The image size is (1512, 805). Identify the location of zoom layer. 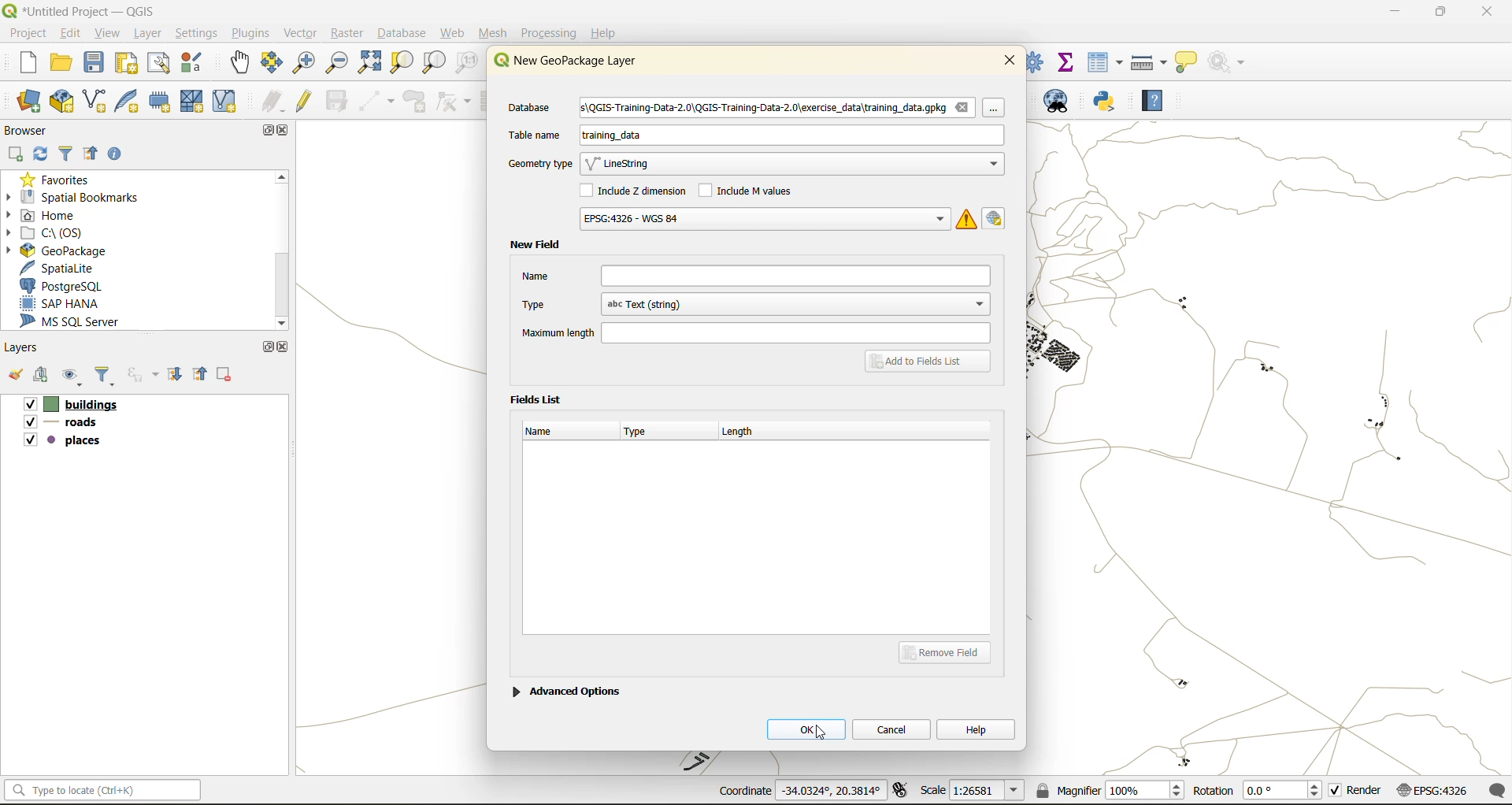
(434, 63).